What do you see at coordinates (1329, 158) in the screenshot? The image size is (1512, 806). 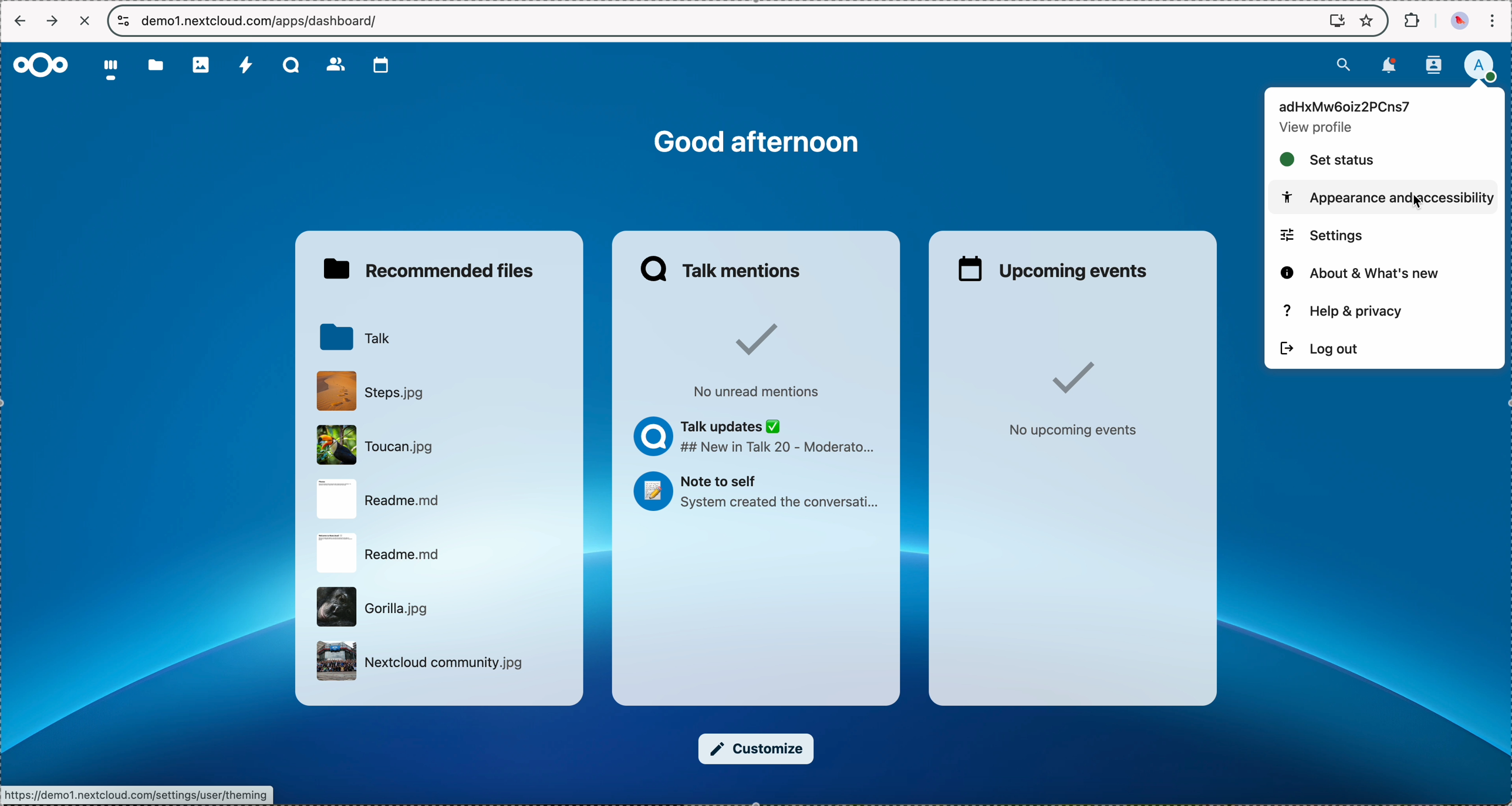 I see `set status` at bounding box center [1329, 158].